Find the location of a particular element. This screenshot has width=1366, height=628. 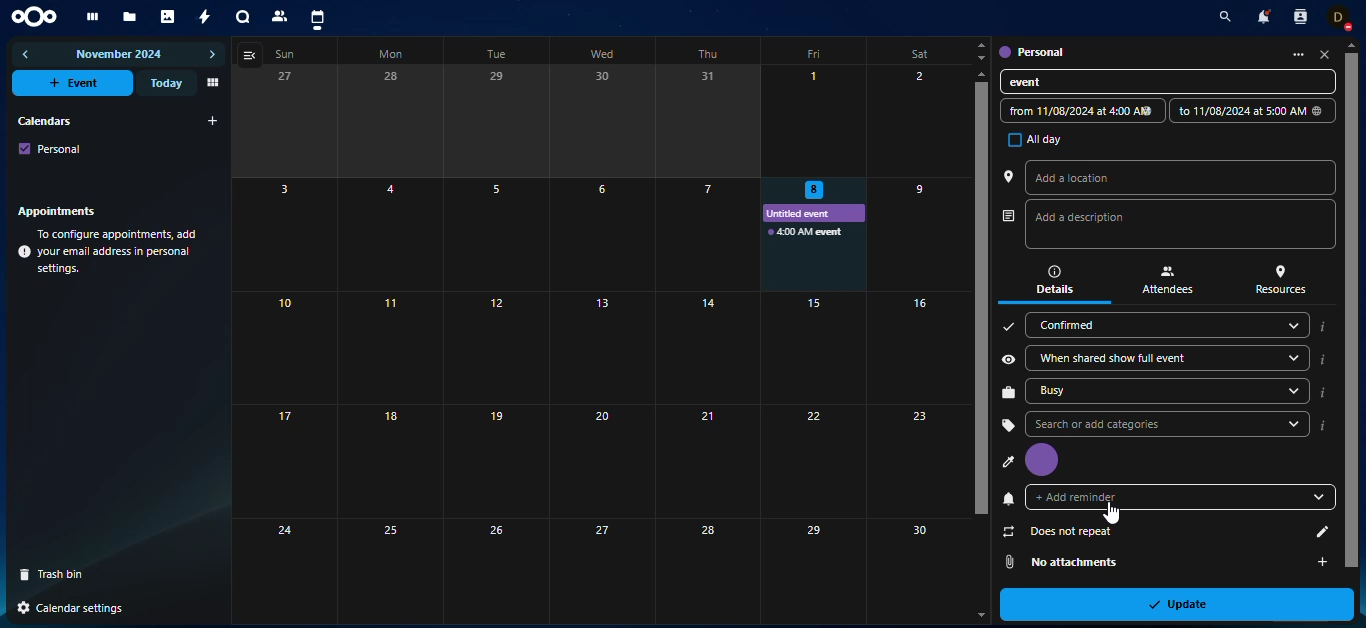

wed is located at coordinates (606, 52).